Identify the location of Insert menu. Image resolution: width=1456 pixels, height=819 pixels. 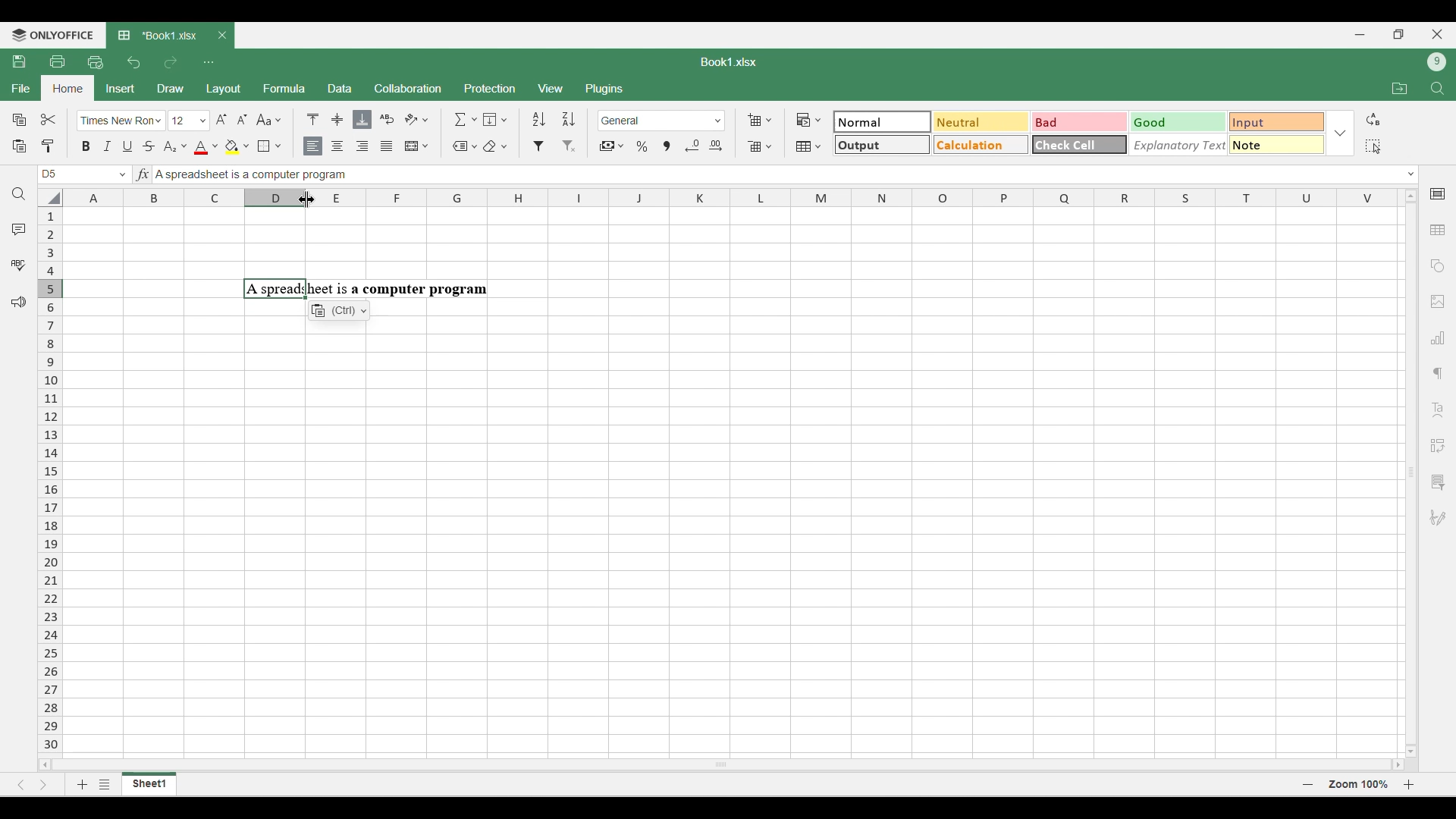
(121, 89).